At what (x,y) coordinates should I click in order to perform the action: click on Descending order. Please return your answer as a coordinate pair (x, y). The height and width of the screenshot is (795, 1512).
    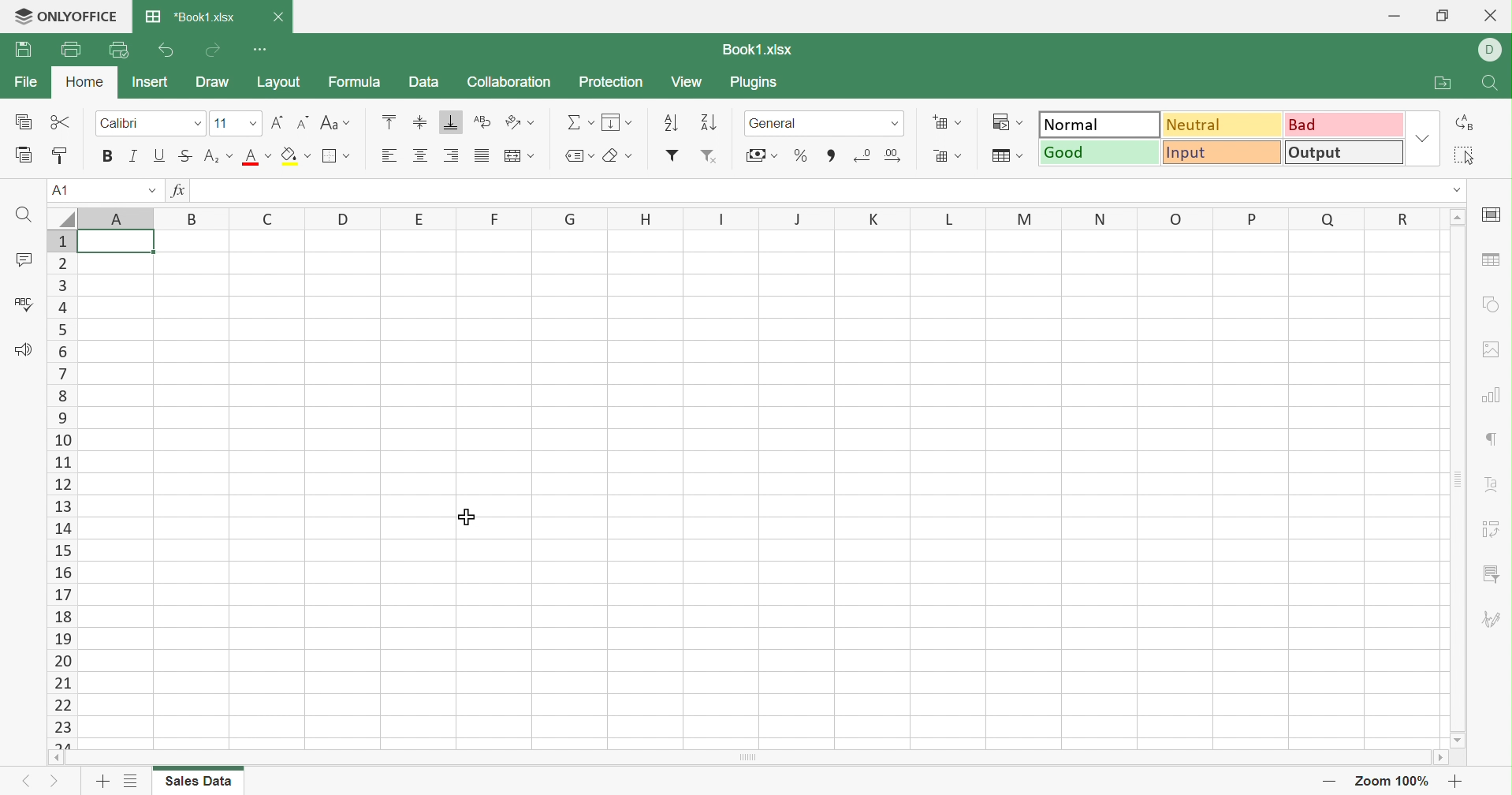
    Looking at the image, I should click on (707, 121).